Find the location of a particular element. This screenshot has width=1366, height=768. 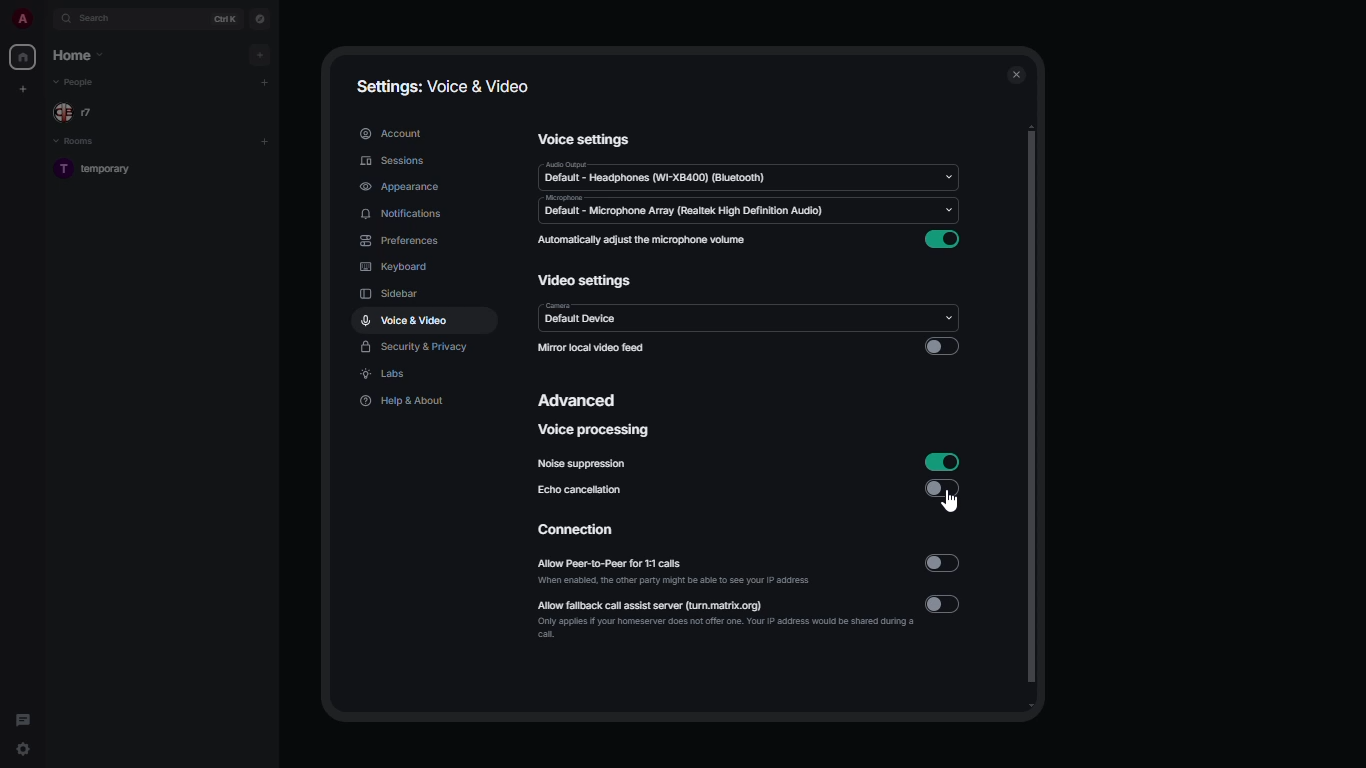

voice settings is located at coordinates (585, 142).